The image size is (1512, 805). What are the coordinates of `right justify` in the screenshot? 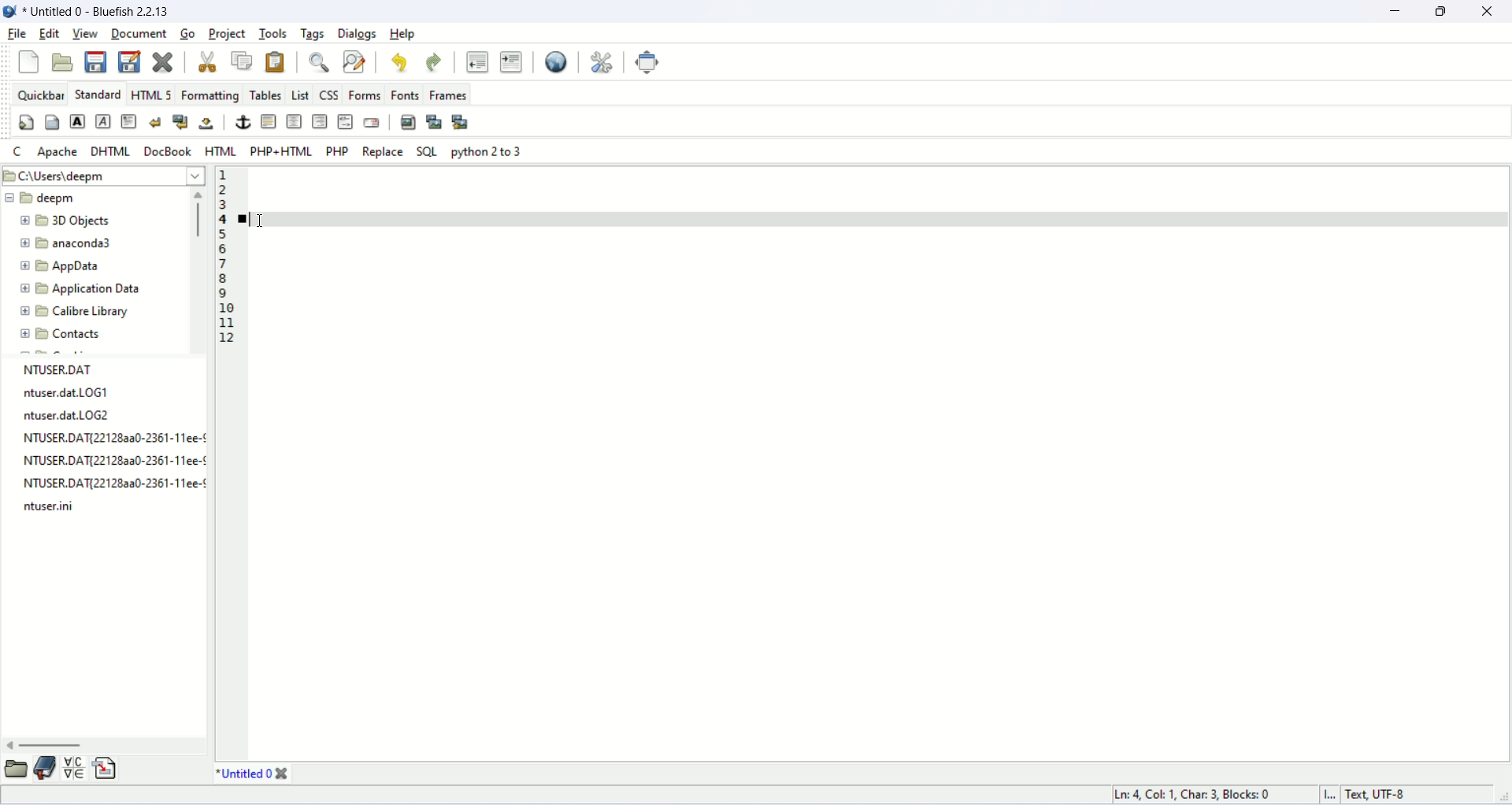 It's located at (321, 122).